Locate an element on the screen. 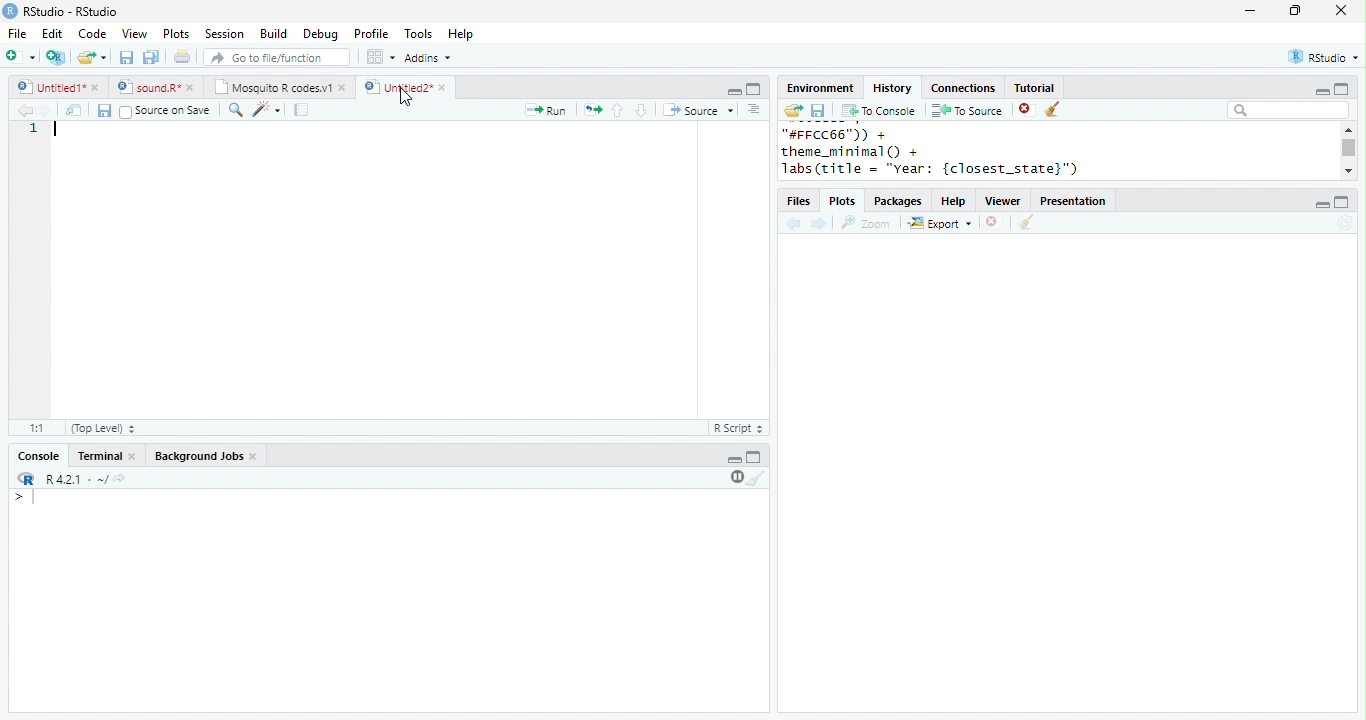  cursor is located at coordinates (404, 98).